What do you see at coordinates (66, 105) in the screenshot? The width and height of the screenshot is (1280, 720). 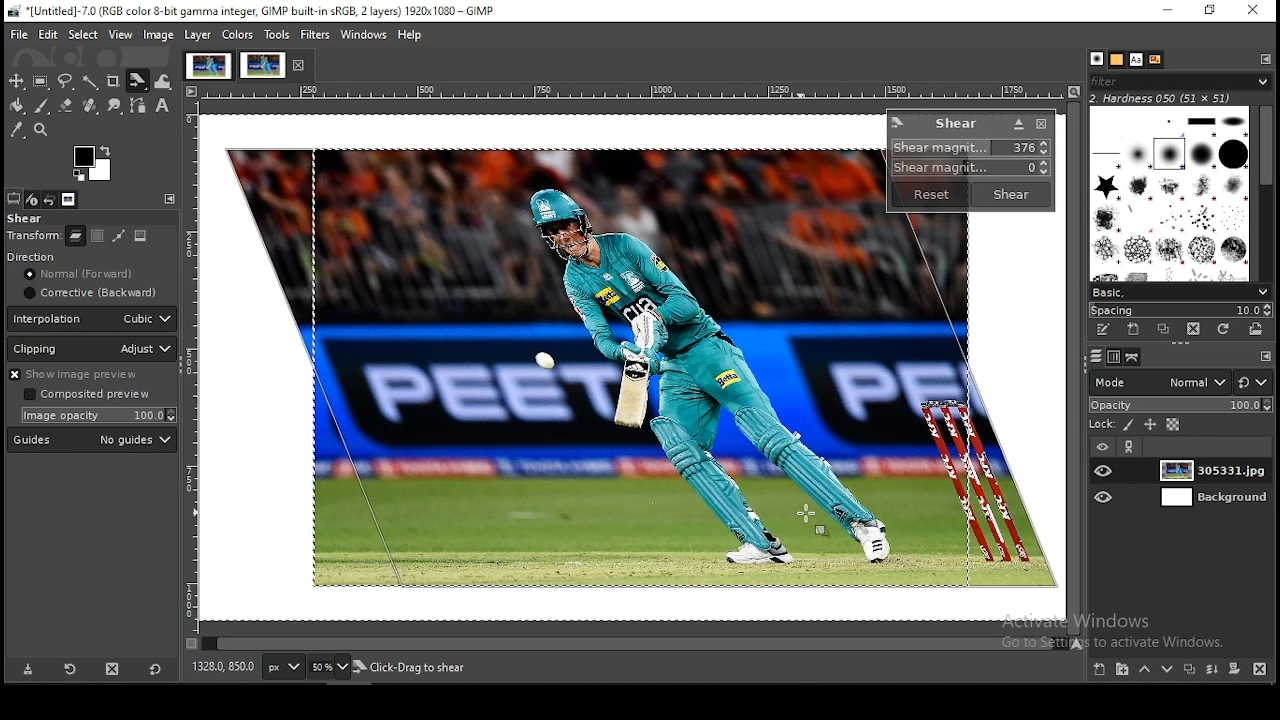 I see `` at bounding box center [66, 105].